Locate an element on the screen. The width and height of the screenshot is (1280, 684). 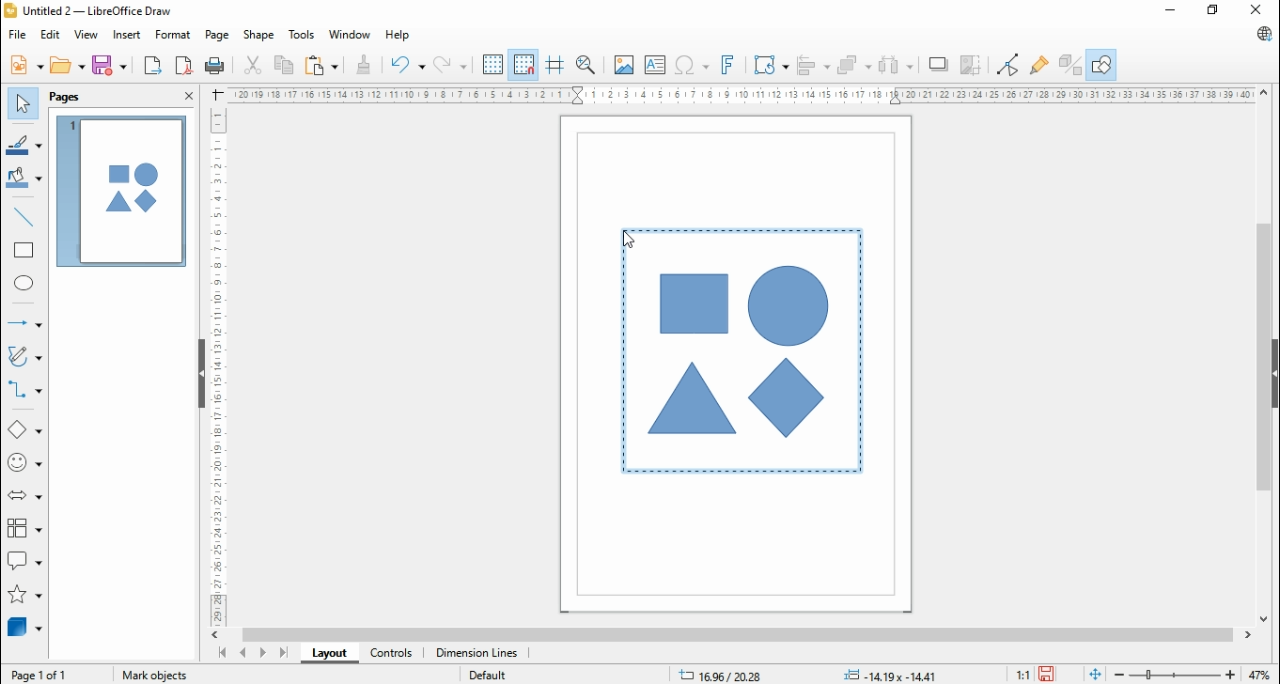
connectors is located at coordinates (24, 390).